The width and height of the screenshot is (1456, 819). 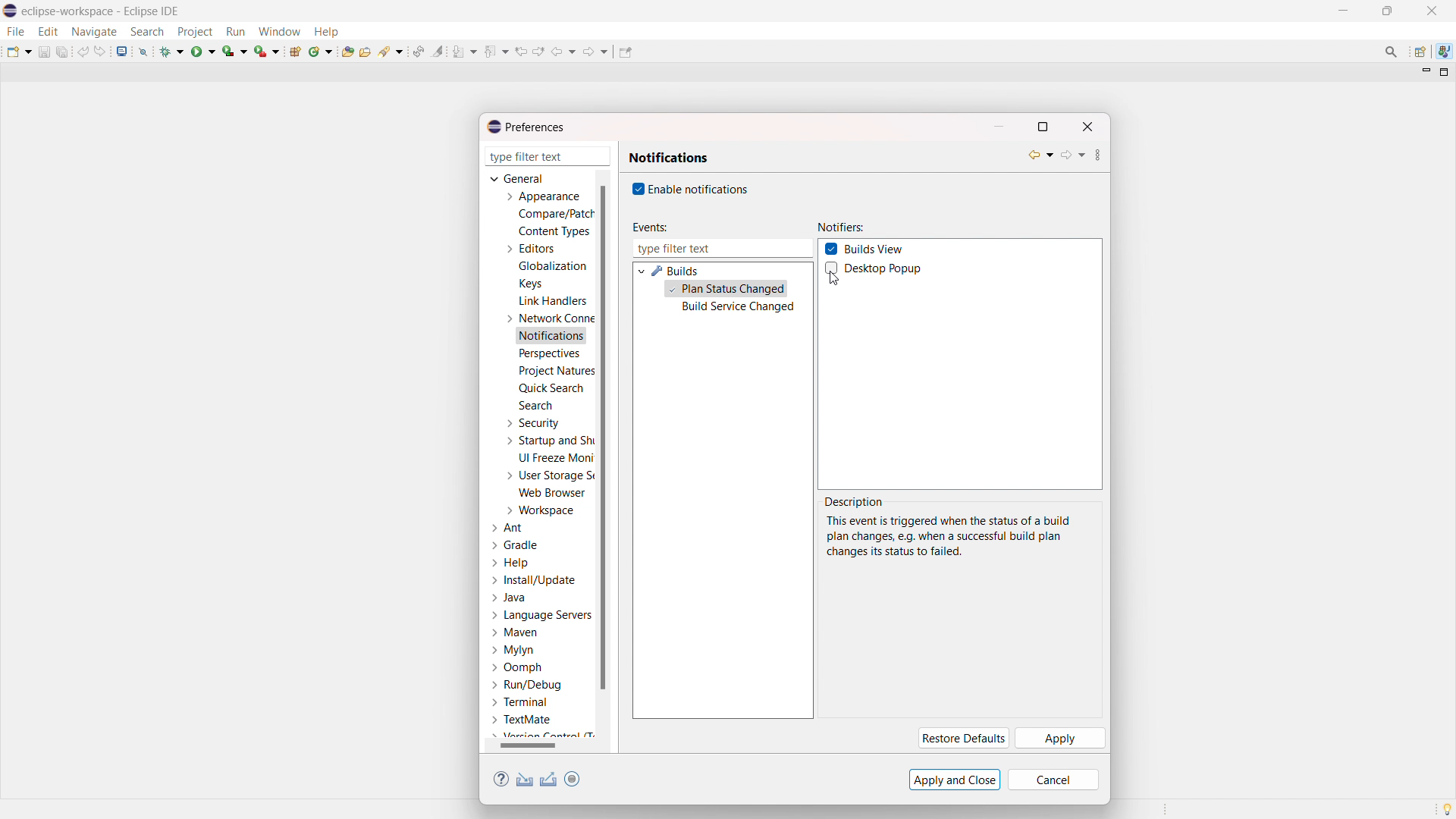 I want to click on minimize, so click(x=1347, y=11).